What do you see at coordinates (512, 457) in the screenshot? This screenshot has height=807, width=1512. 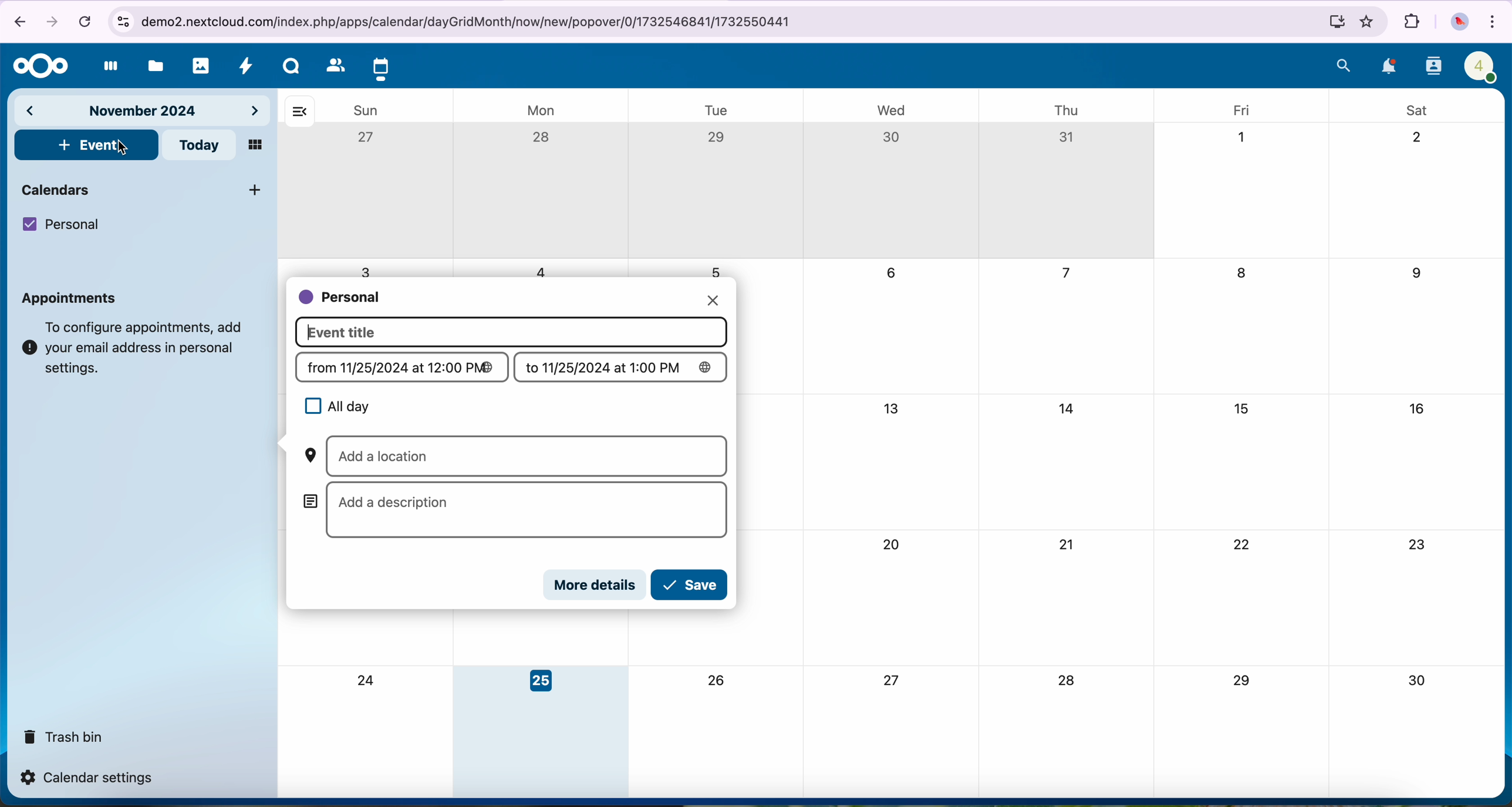 I see `add a location` at bounding box center [512, 457].